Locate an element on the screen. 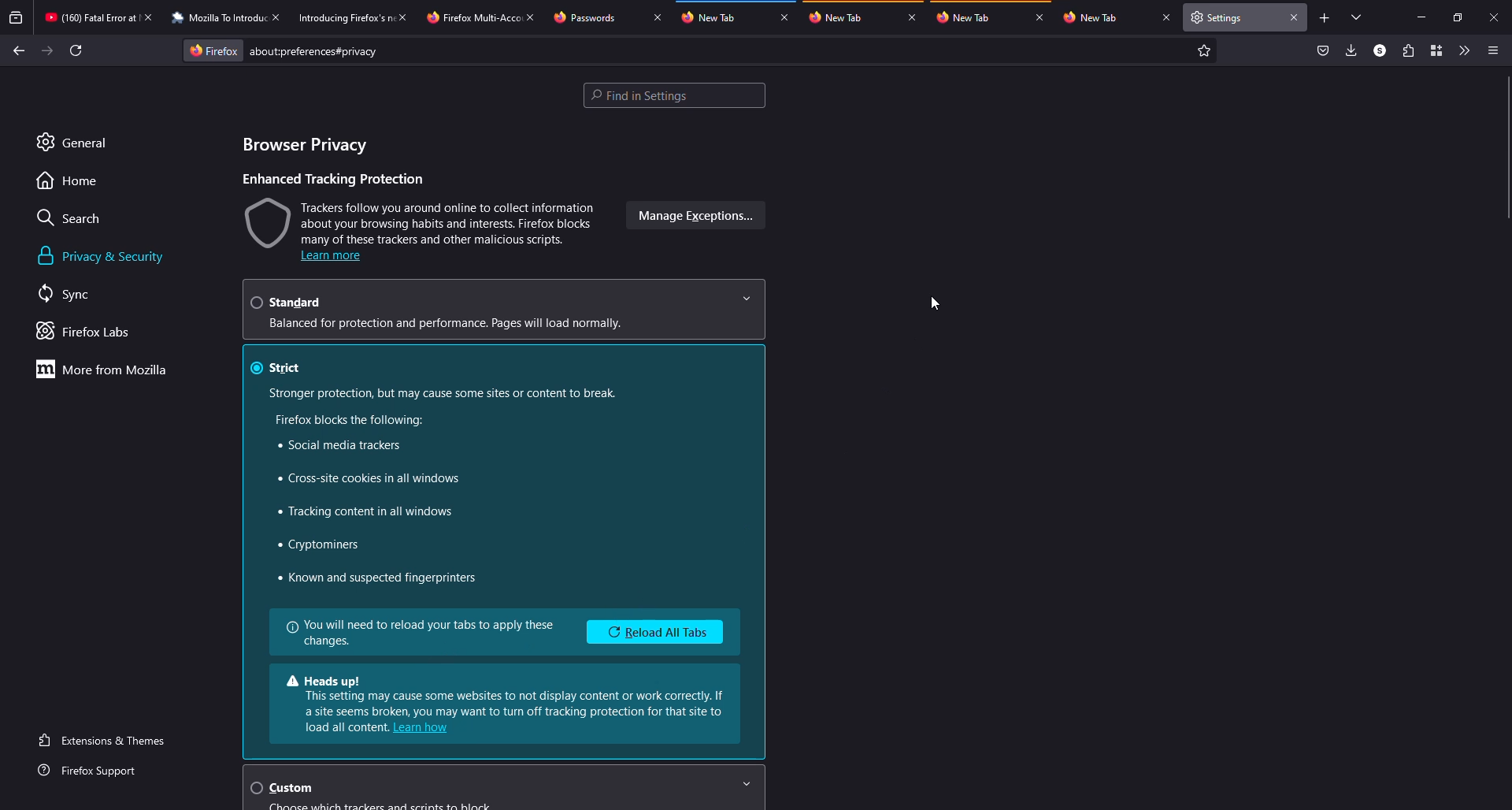 The width and height of the screenshot is (1512, 810). expand is located at coordinates (748, 785).